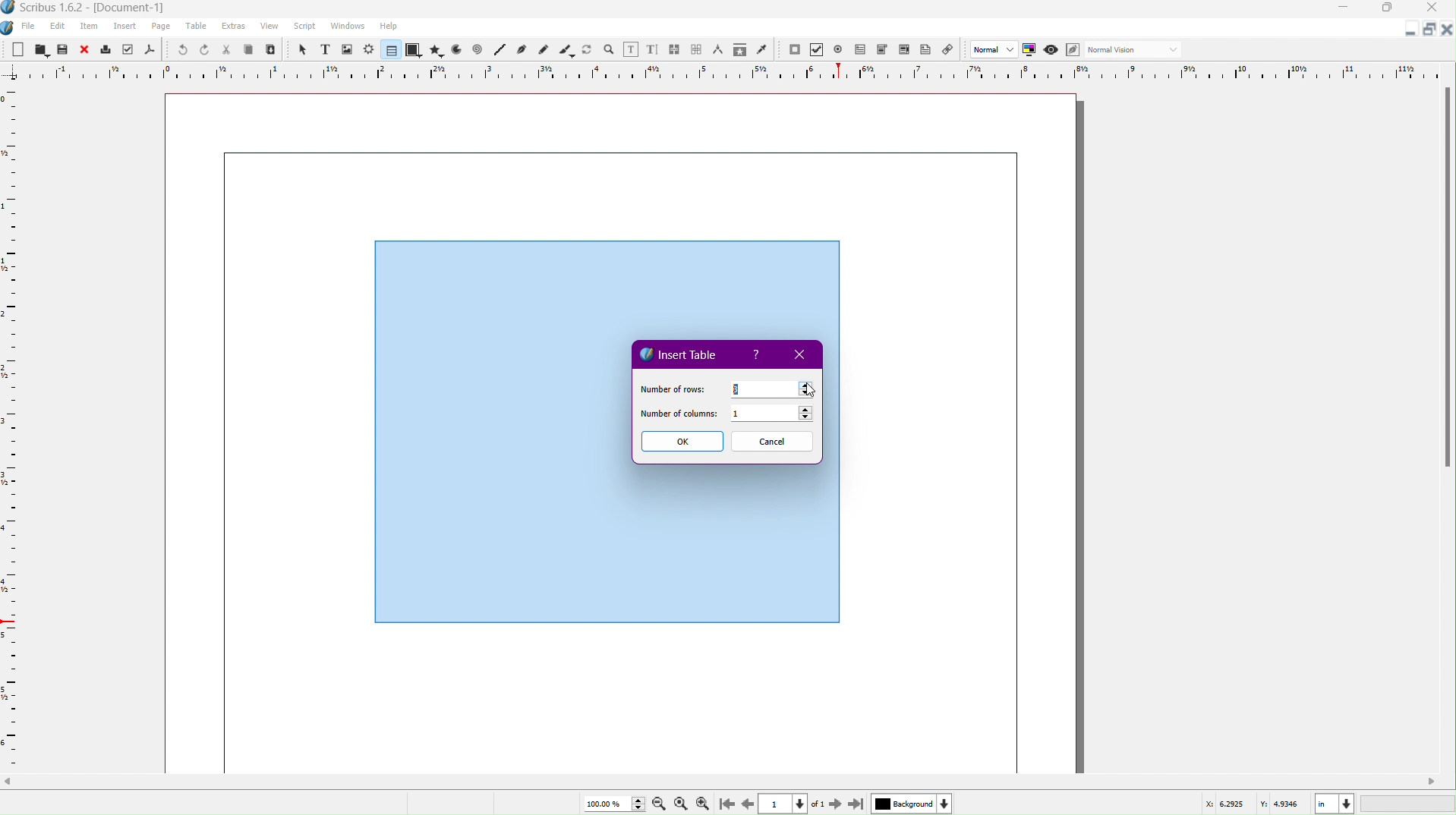 This screenshot has width=1456, height=815. What do you see at coordinates (841, 49) in the screenshot?
I see `PDF Radio Button` at bounding box center [841, 49].